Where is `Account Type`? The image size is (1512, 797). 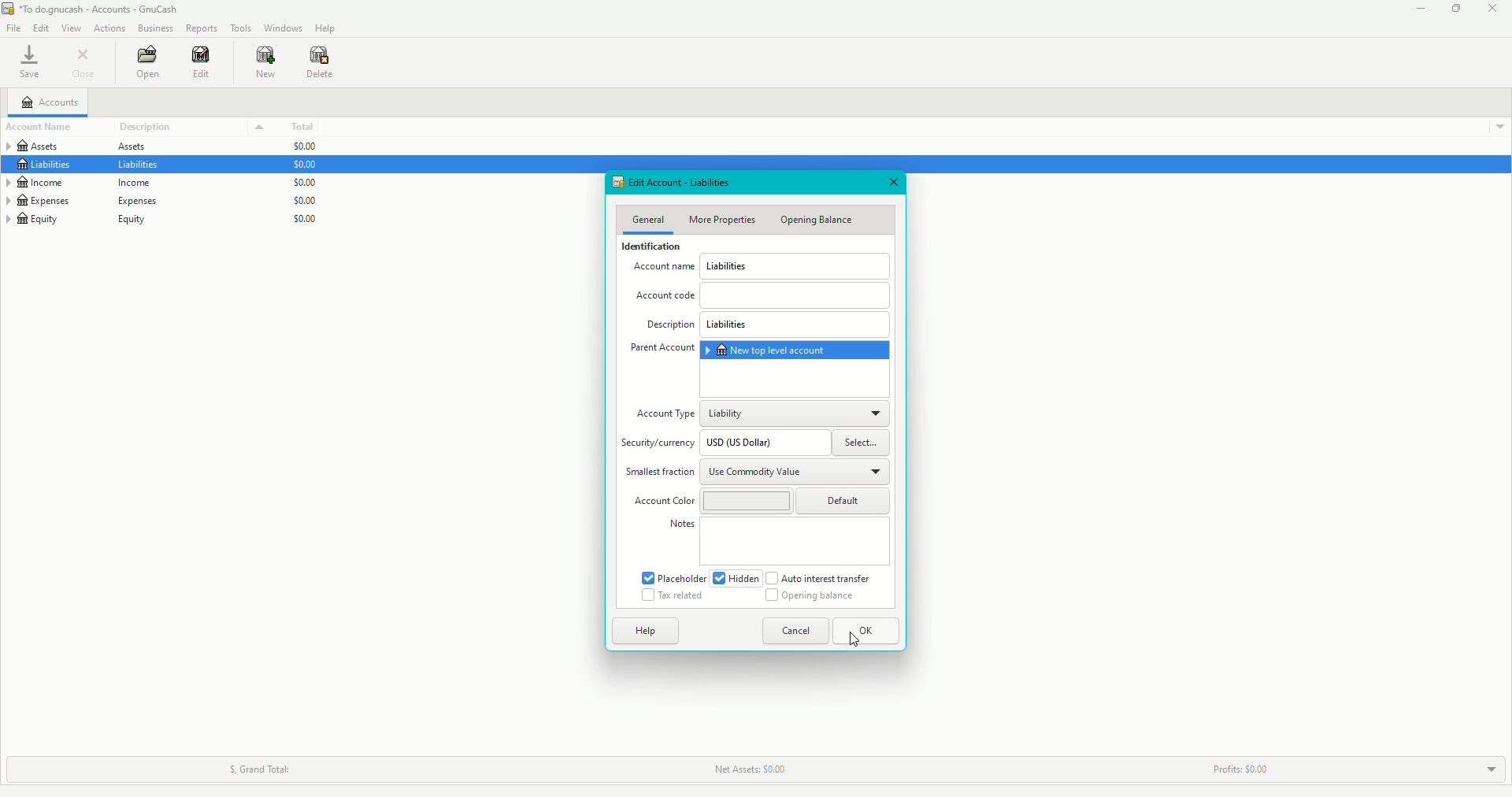 Account Type is located at coordinates (665, 417).